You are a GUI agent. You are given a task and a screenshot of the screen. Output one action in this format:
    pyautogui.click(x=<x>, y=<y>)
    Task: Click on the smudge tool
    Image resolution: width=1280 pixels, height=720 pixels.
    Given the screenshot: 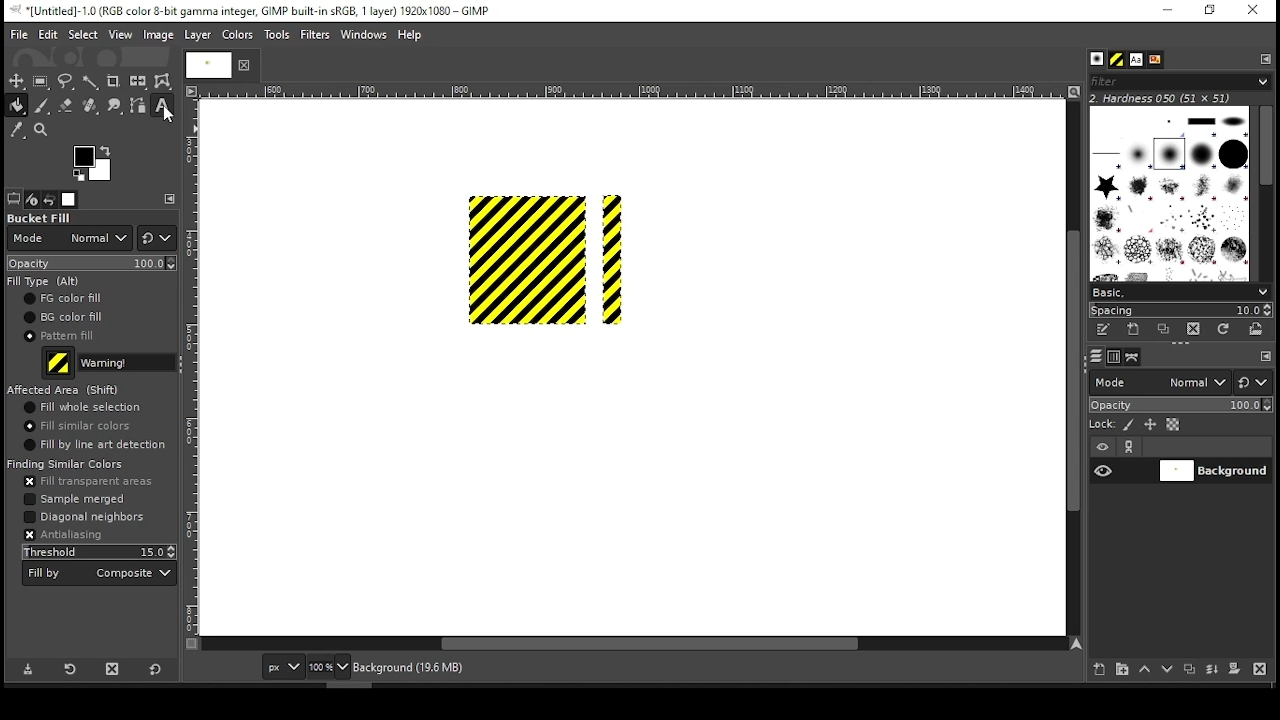 What is the action you would take?
    pyautogui.click(x=116, y=106)
    